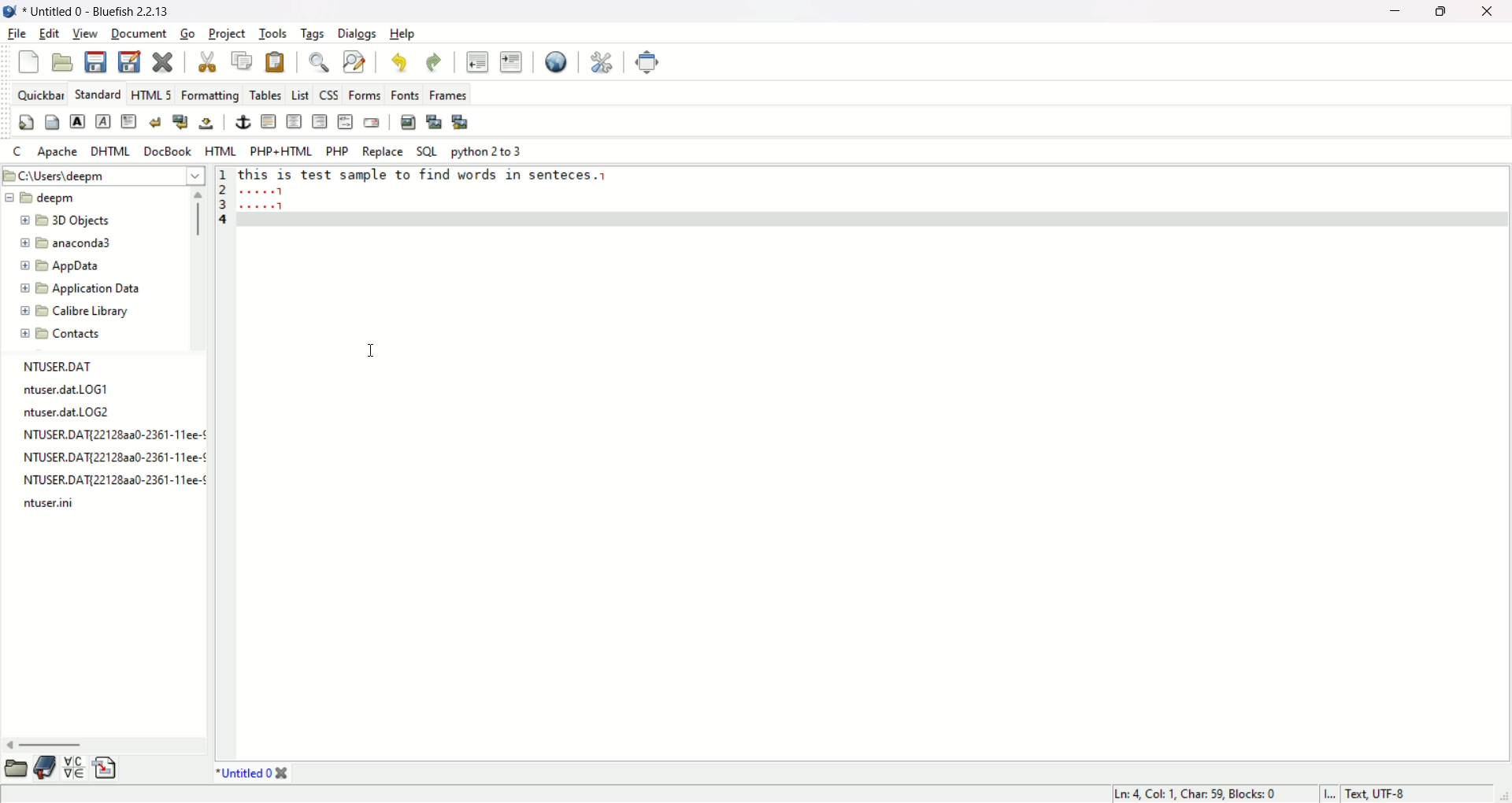 This screenshot has height=803, width=1512. What do you see at coordinates (477, 61) in the screenshot?
I see `unident` at bounding box center [477, 61].